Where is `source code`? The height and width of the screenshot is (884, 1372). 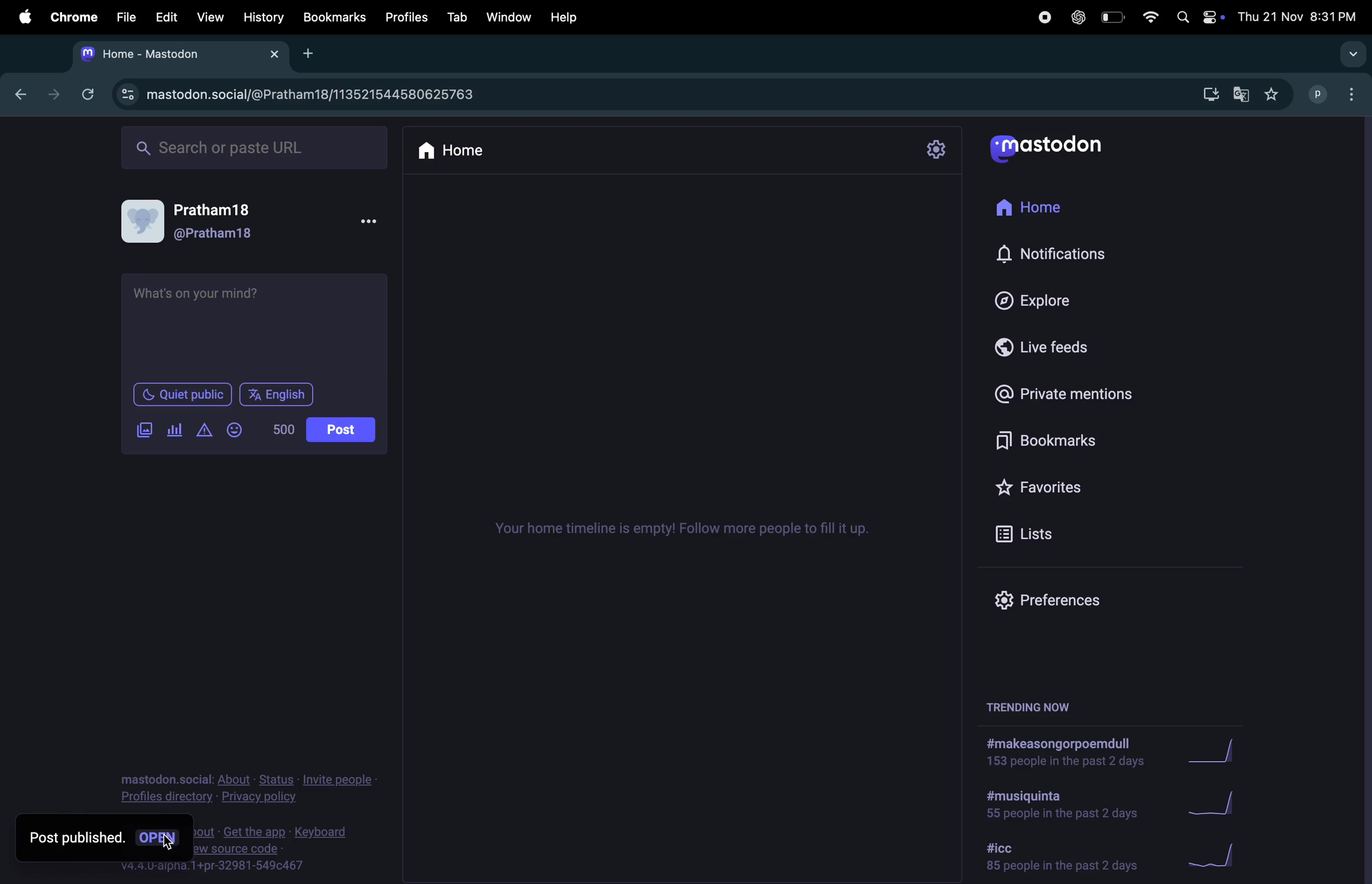
source code is located at coordinates (280, 852).